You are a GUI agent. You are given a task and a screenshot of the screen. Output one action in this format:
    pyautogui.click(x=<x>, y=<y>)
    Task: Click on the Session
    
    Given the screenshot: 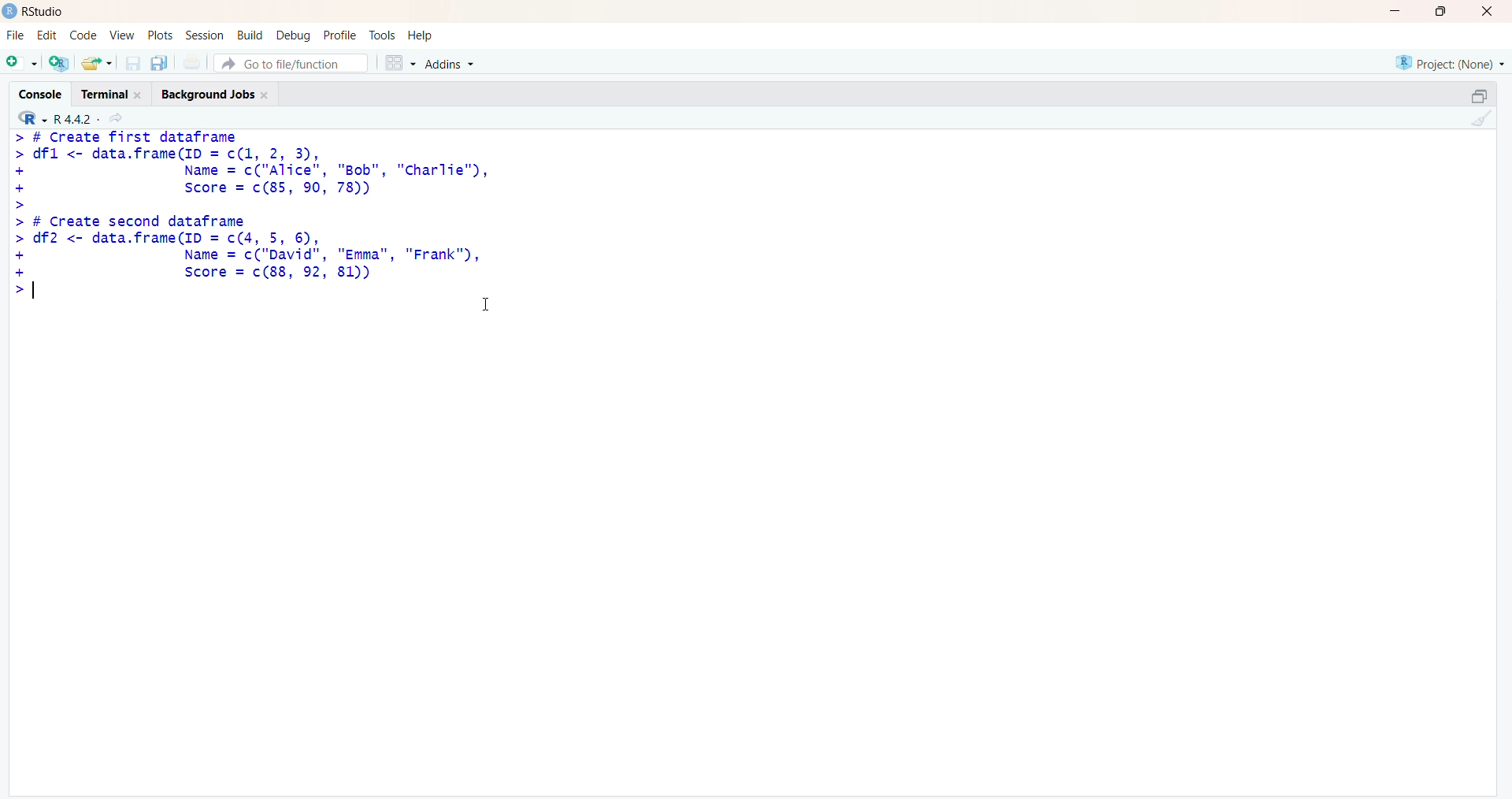 What is the action you would take?
    pyautogui.click(x=205, y=35)
    